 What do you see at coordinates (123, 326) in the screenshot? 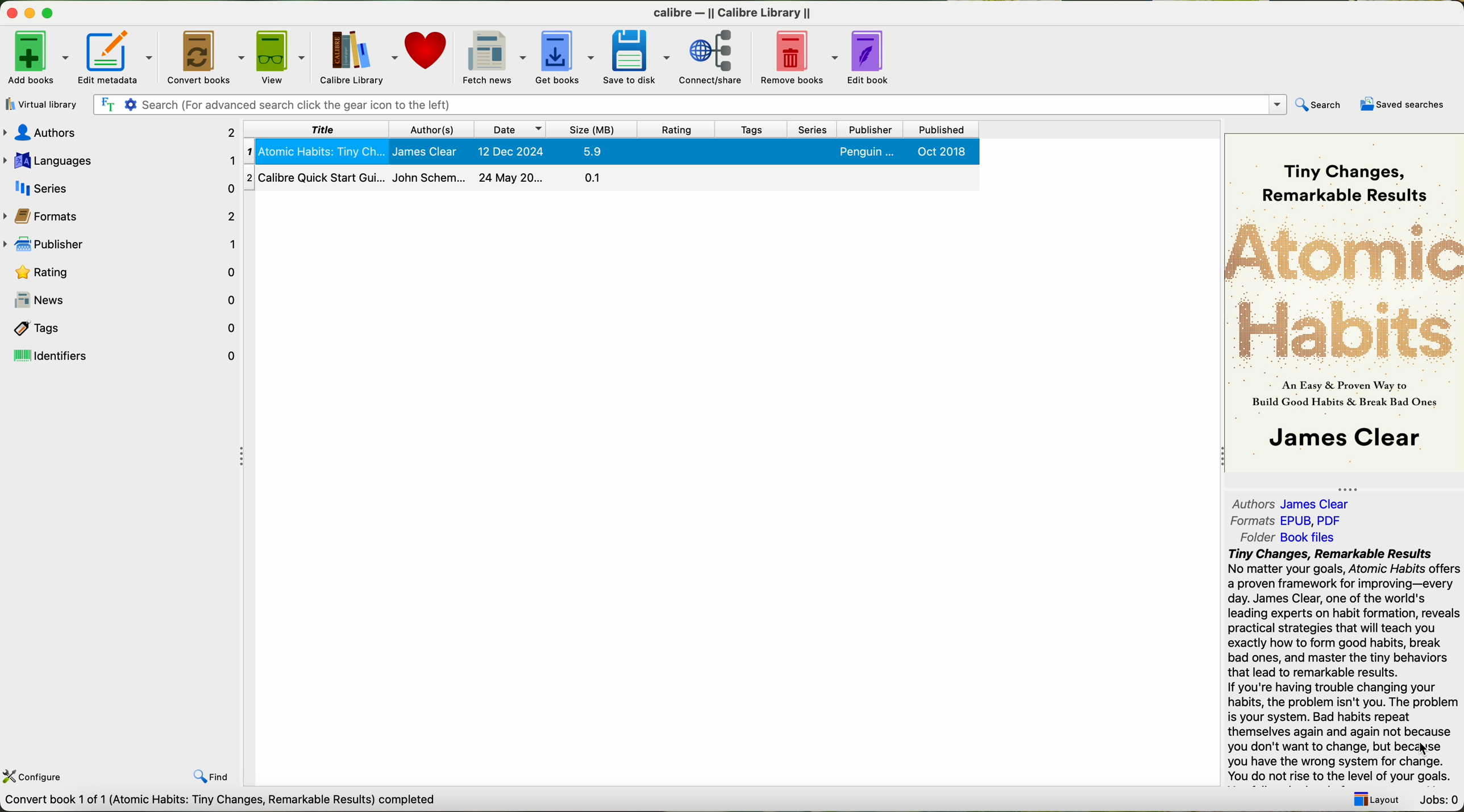
I see `tags` at bounding box center [123, 326].